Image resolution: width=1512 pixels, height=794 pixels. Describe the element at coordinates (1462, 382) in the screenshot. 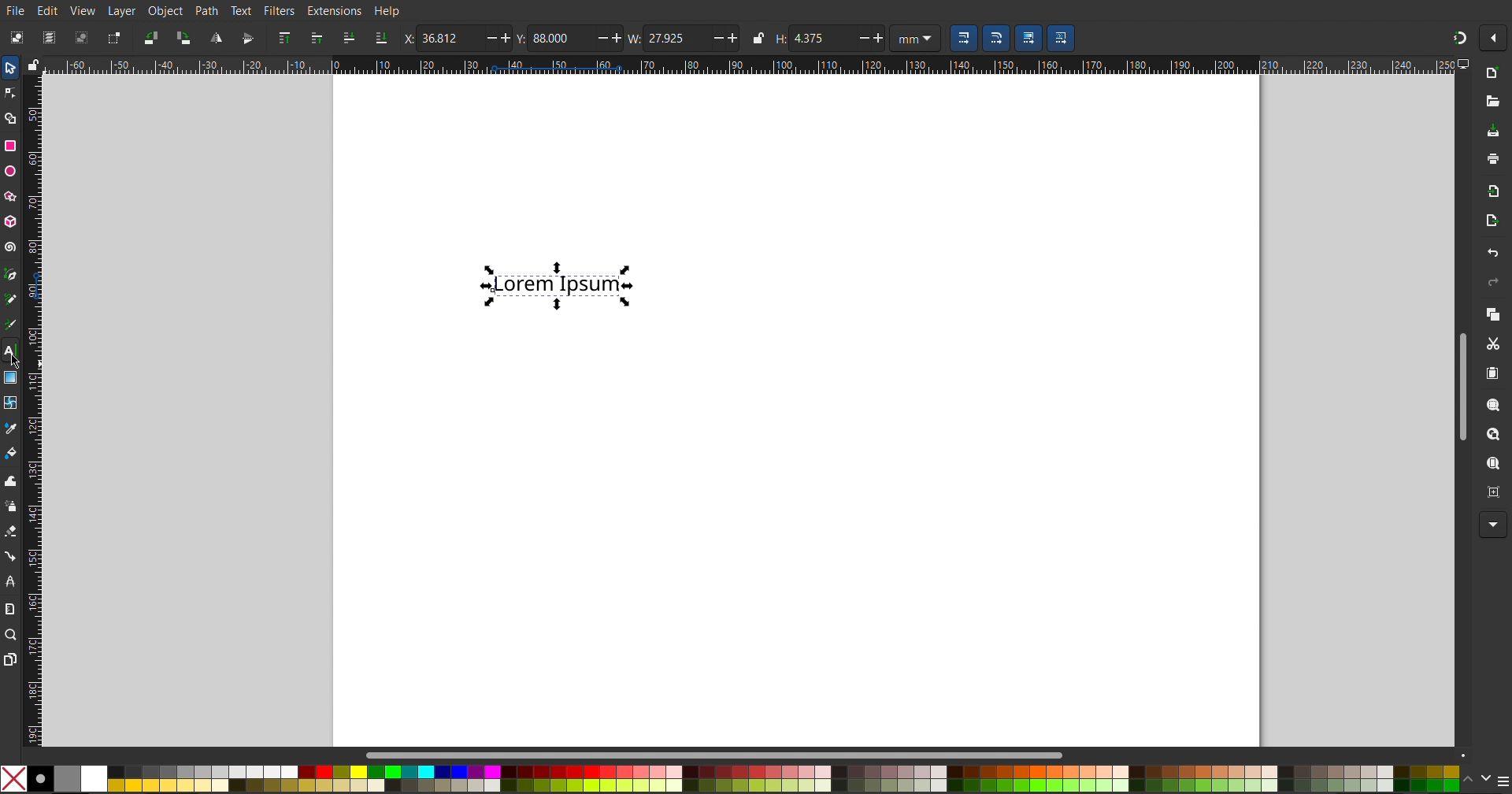

I see `Scrollbar` at that location.